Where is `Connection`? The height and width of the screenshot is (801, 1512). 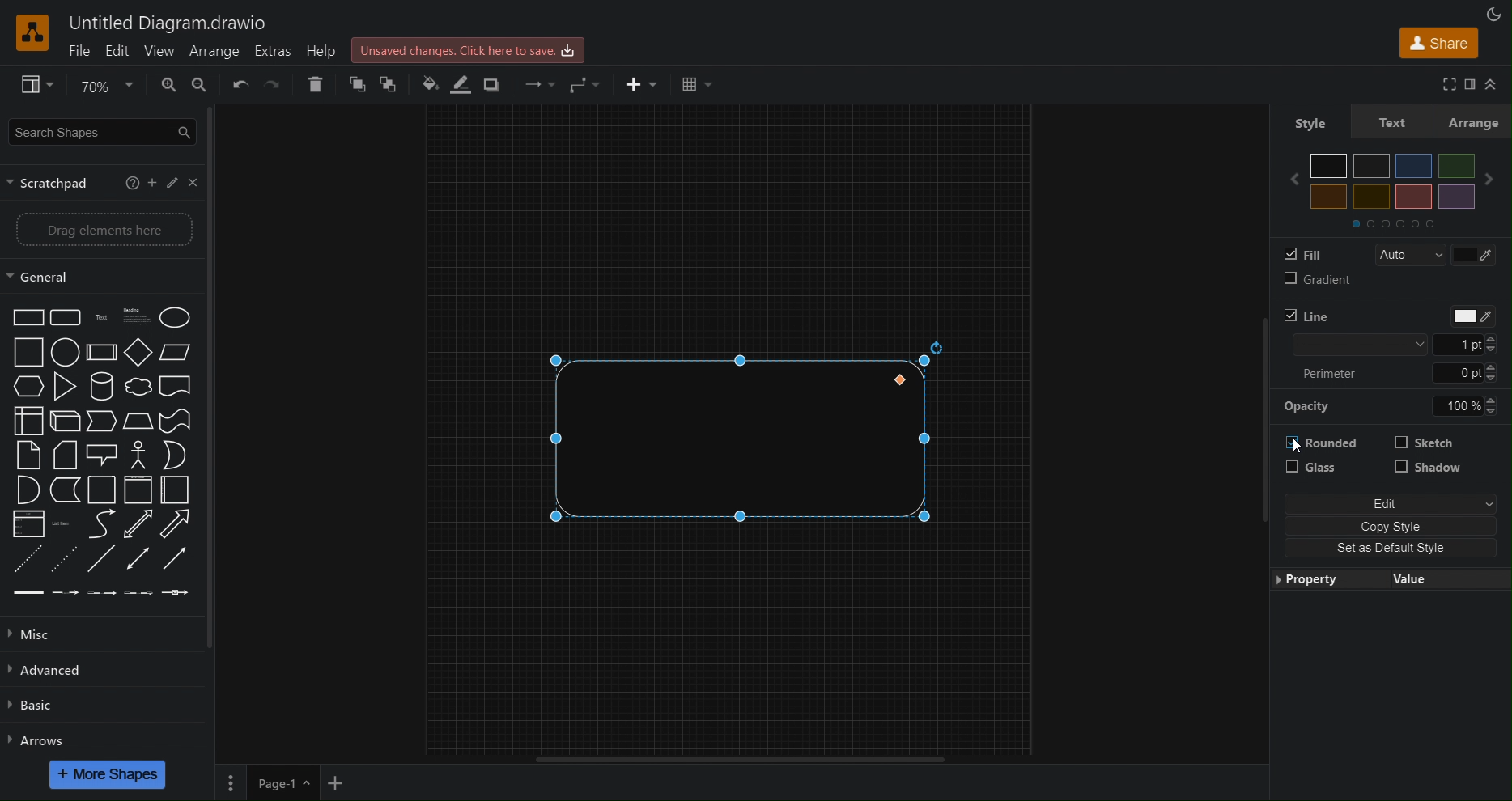 Connection is located at coordinates (535, 83).